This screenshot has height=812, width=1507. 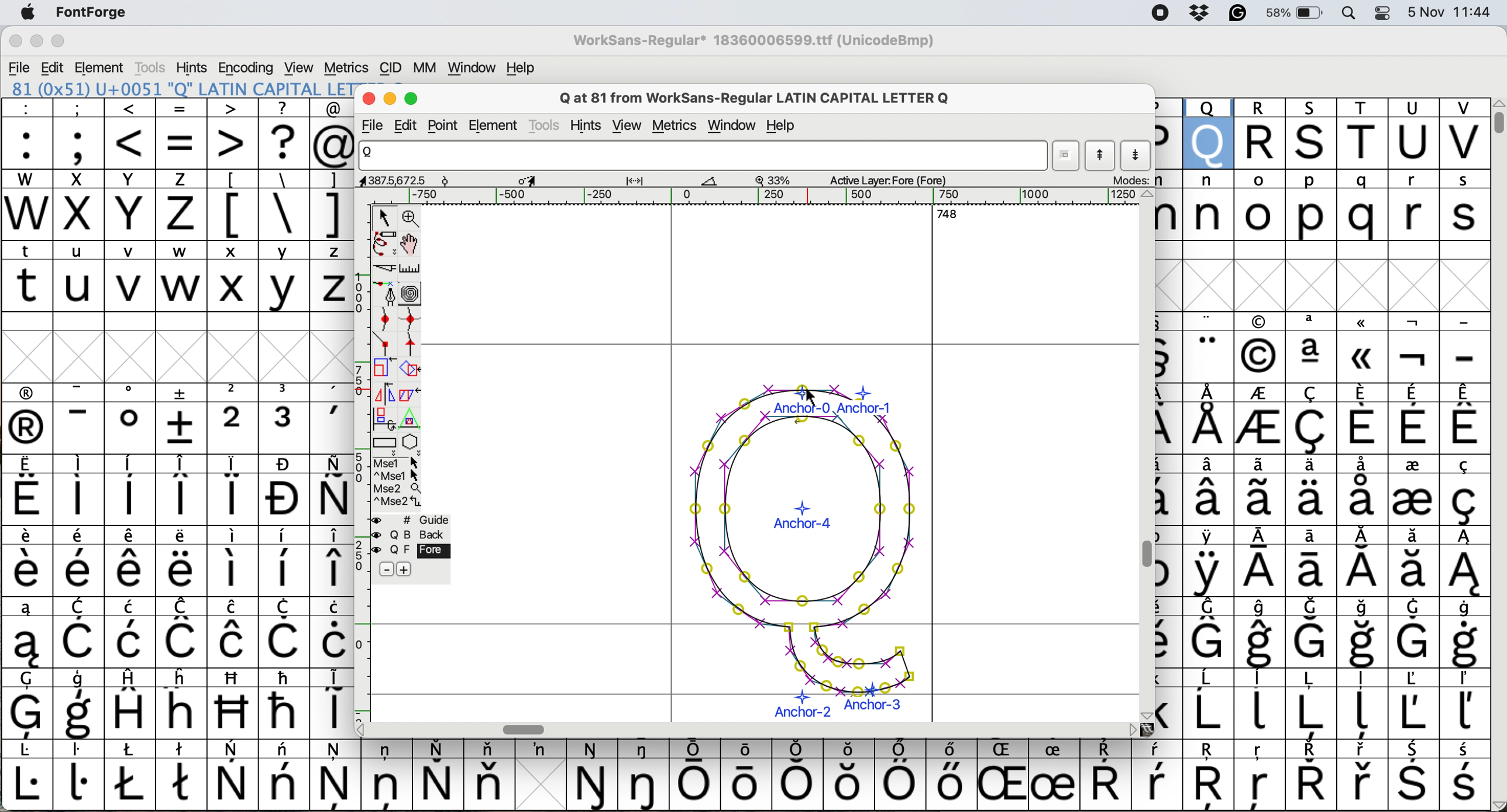 What do you see at coordinates (413, 346) in the screenshot?
I see `add a tangent point` at bounding box center [413, 346].